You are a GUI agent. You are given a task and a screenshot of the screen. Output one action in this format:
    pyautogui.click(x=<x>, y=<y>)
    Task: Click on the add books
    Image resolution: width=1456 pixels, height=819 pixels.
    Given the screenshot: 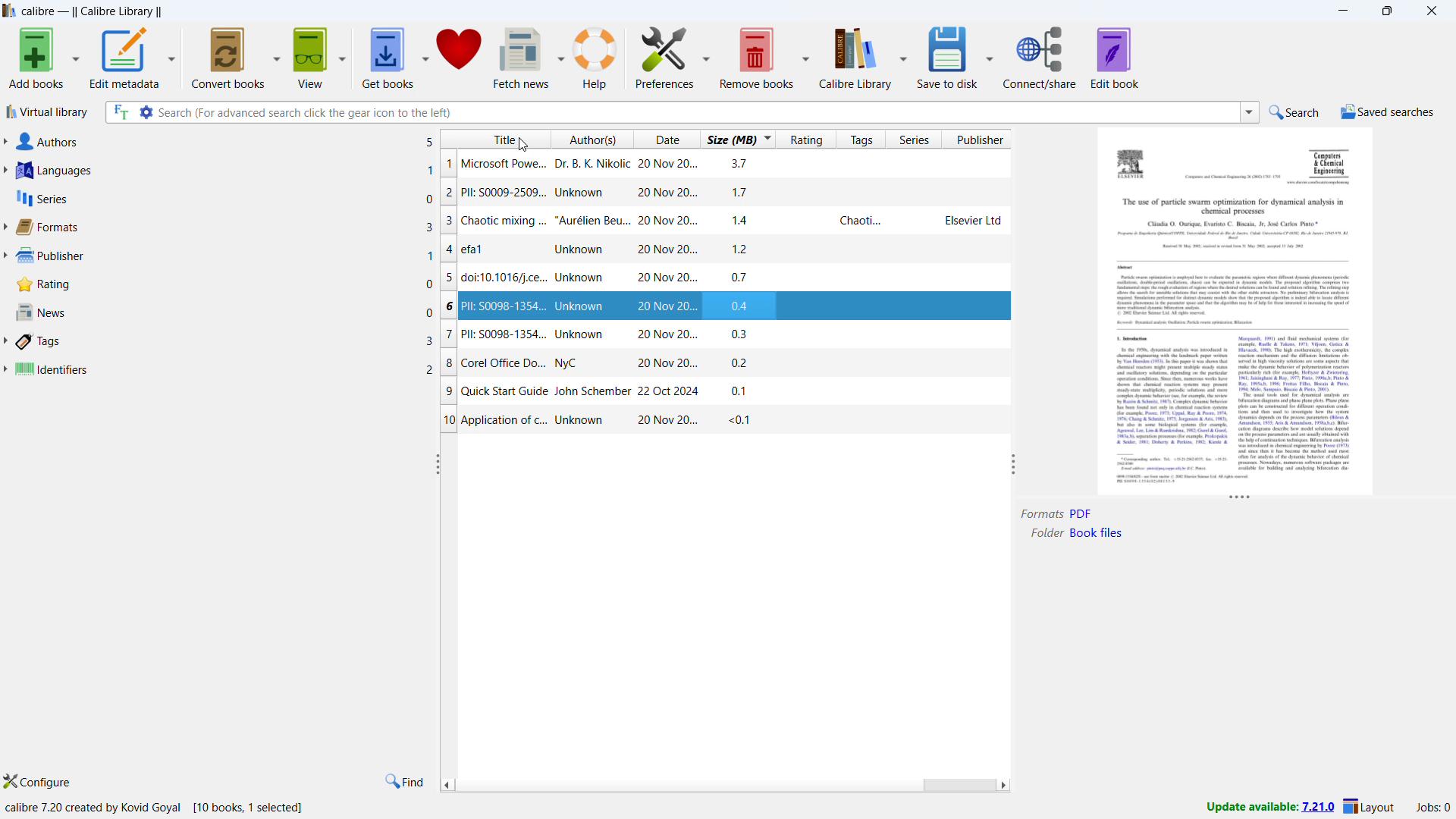 What is the action you would take?
    pyautogui.click(x=73, y=60)
    